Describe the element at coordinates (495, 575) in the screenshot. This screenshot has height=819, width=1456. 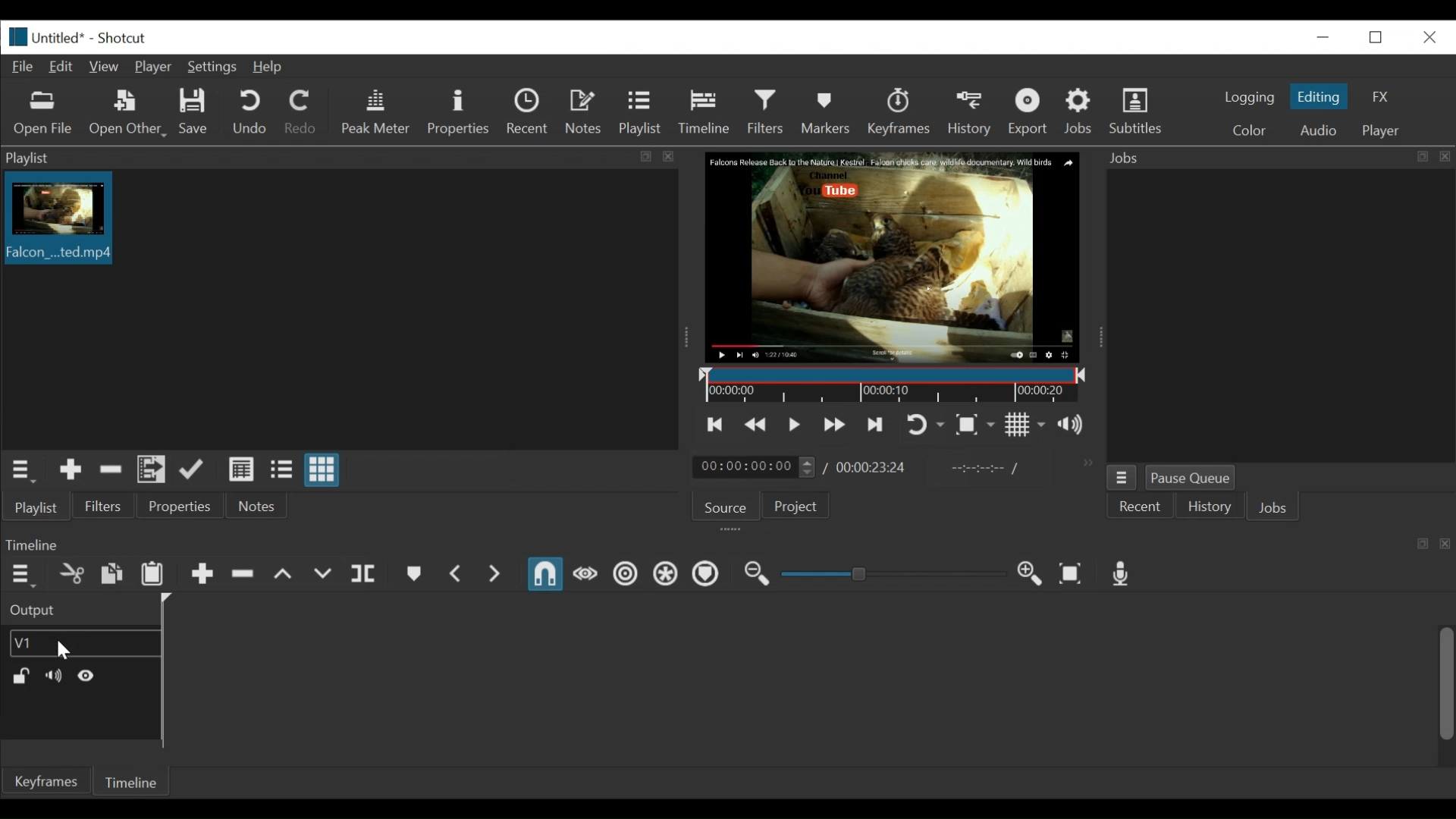
I see `Next Marker` at that location.